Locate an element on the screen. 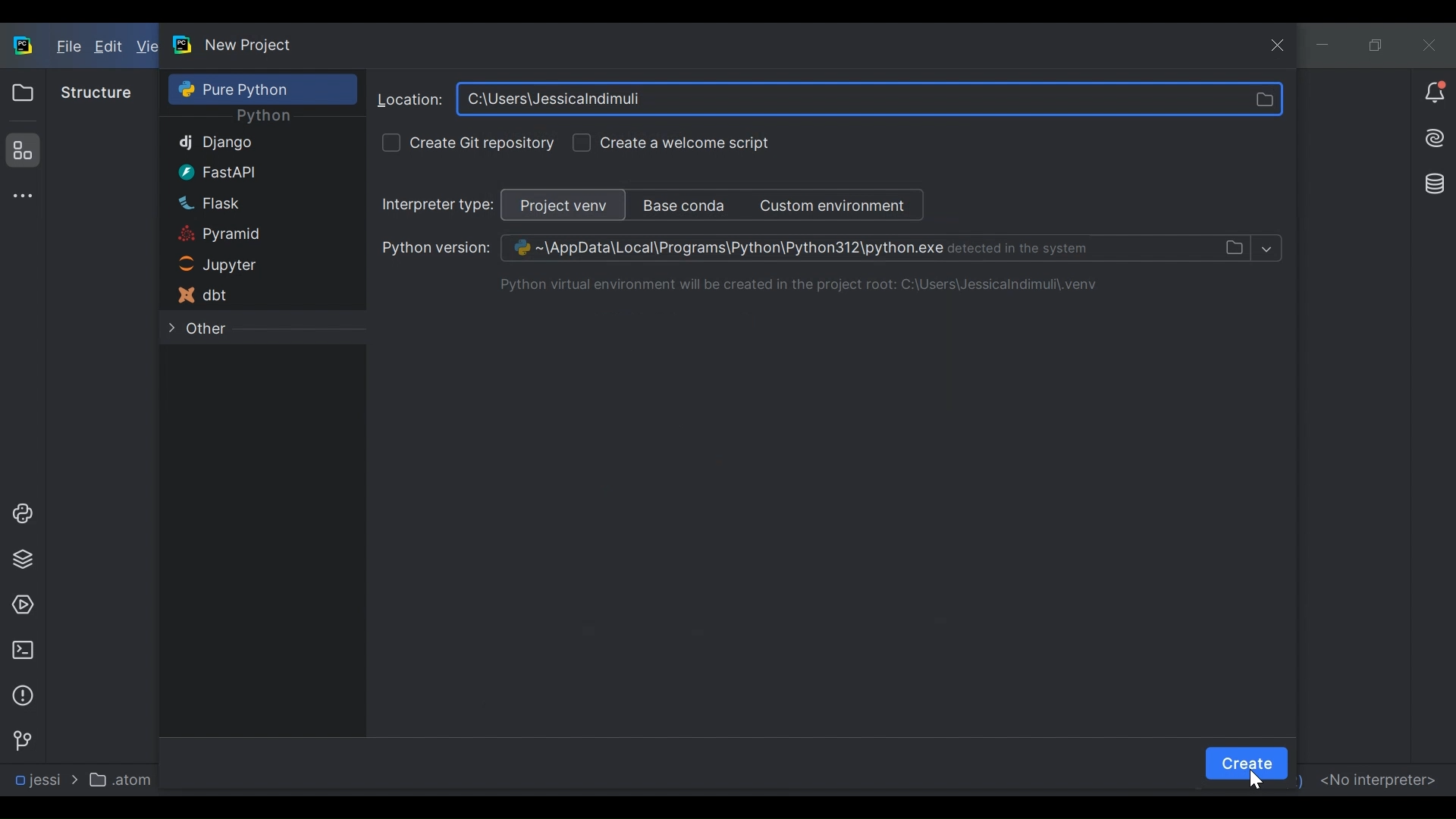 The width and height of the screenshot is (1456, 819). Cursor is located at coordinates (1255, 780).